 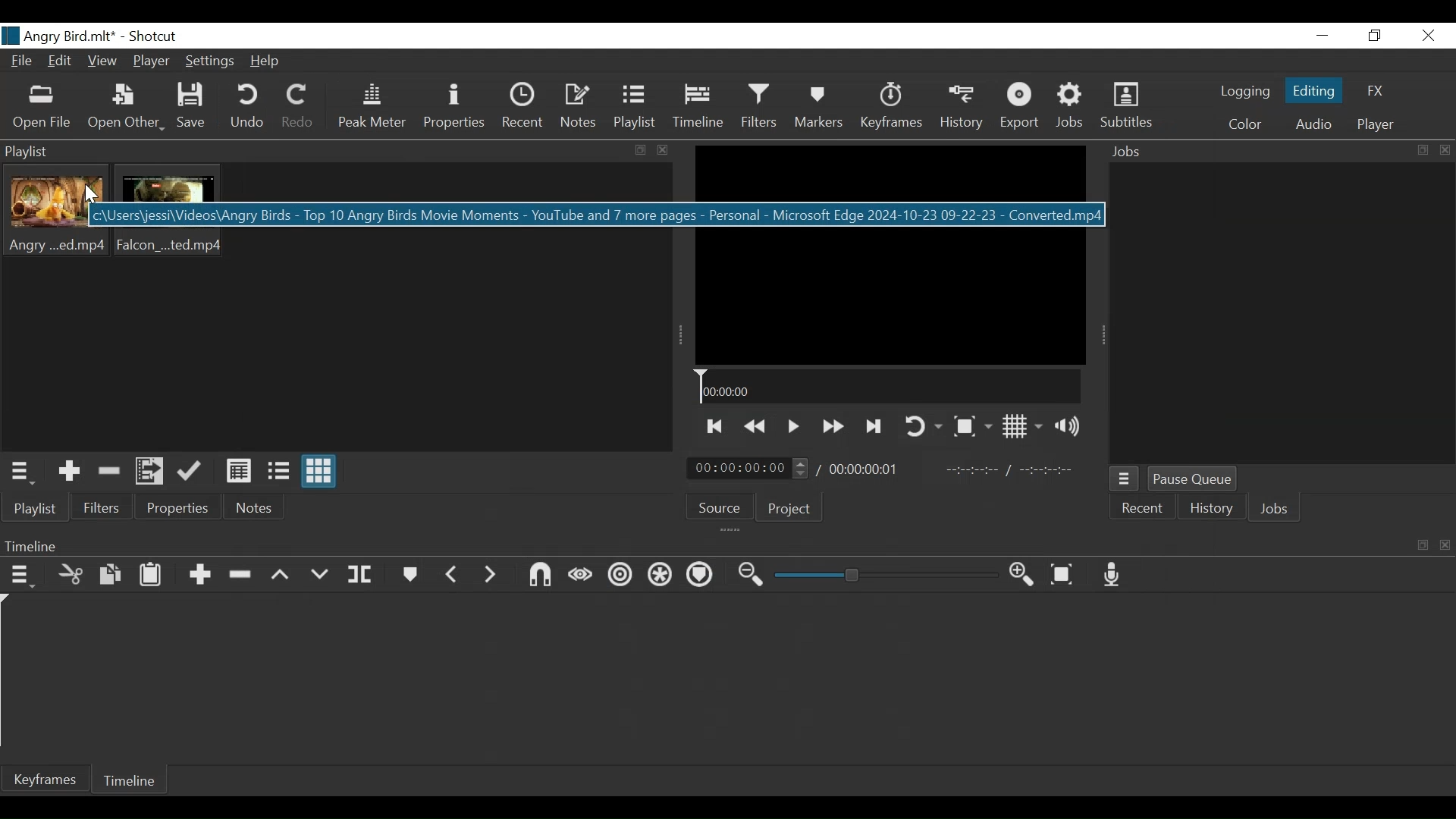 What do you see at coordinates (1125, 479) in the screenshot?
I see `Jobs Menu` at bounding box center [1125, 479].